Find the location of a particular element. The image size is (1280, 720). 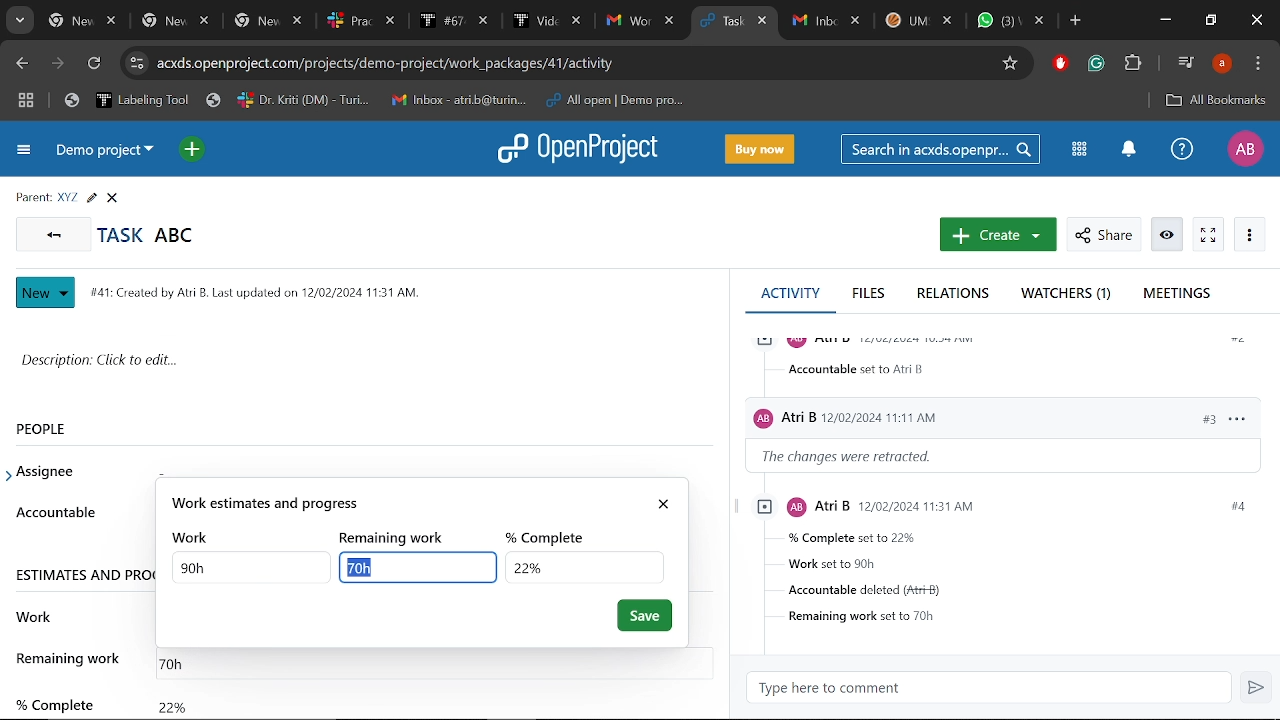

Search  is located at coordinates (943, 149).